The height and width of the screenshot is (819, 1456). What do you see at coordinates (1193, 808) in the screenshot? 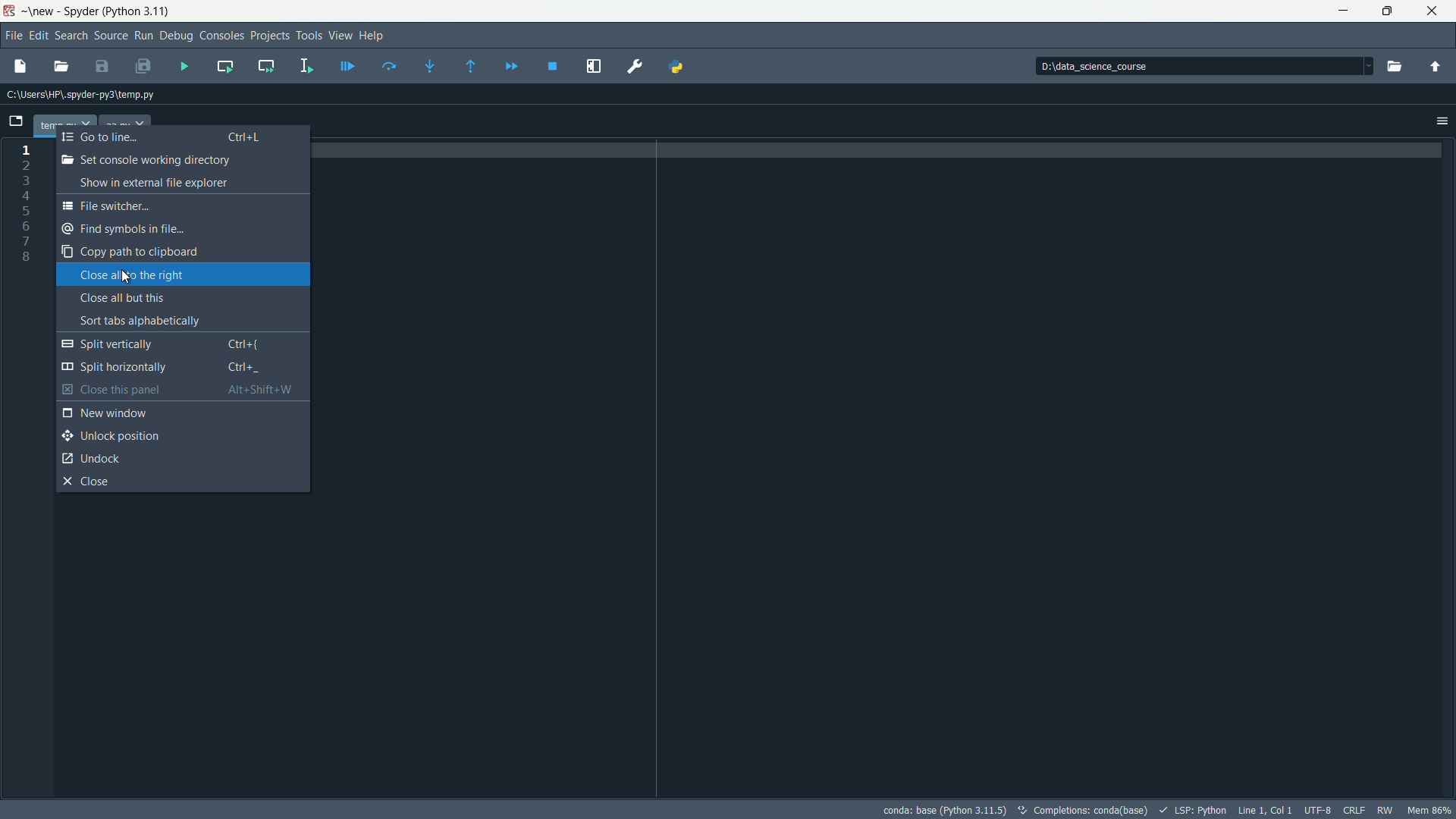
I see `lps:python` at bounding box center [1193, 808].